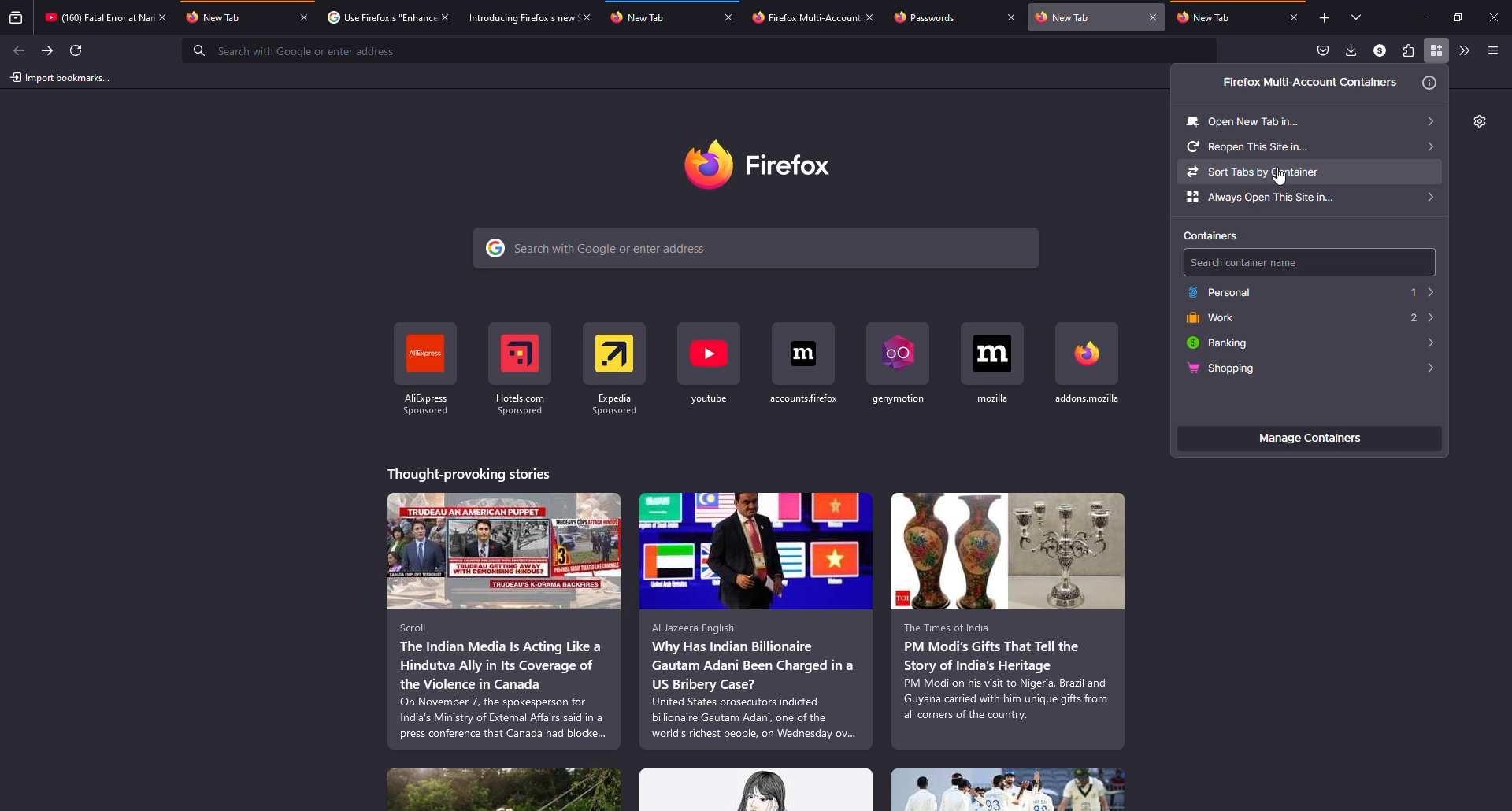 The image size is (1512, 811). Describe the element at coordinates (759, 247) in the screenshot. I see `search` at that location.